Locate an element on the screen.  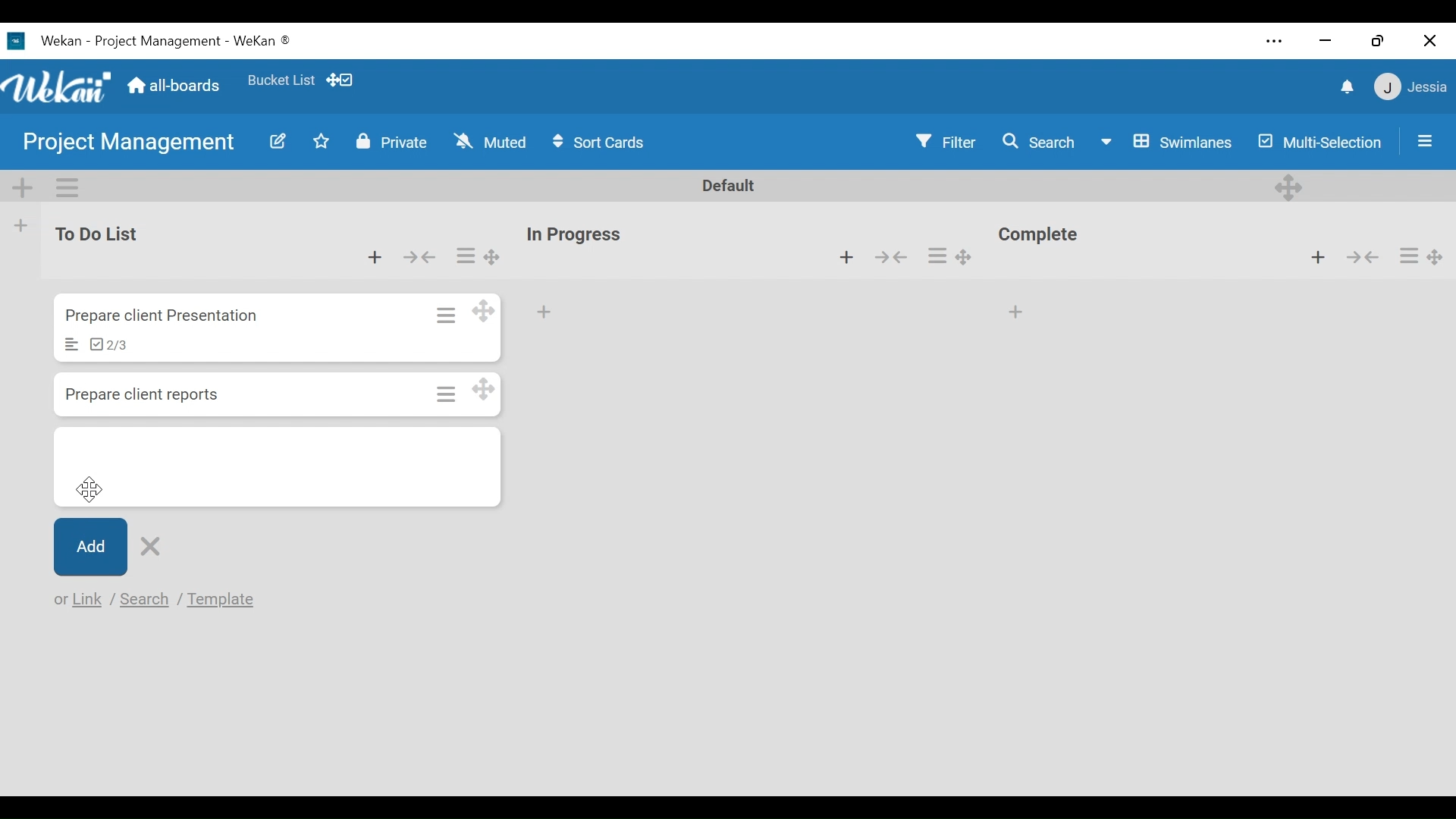
Desktop drag handles is located at coordinates (485, 311).